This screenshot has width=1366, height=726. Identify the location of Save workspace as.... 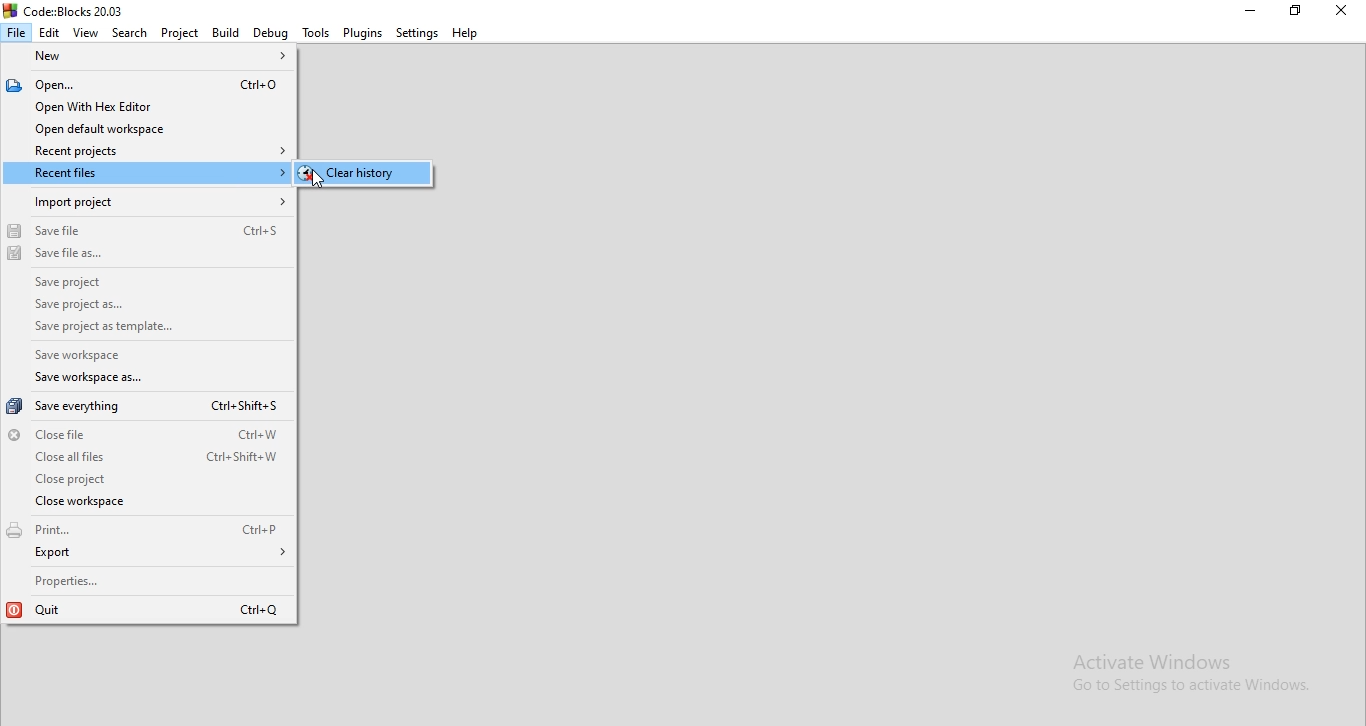
(121, 381).